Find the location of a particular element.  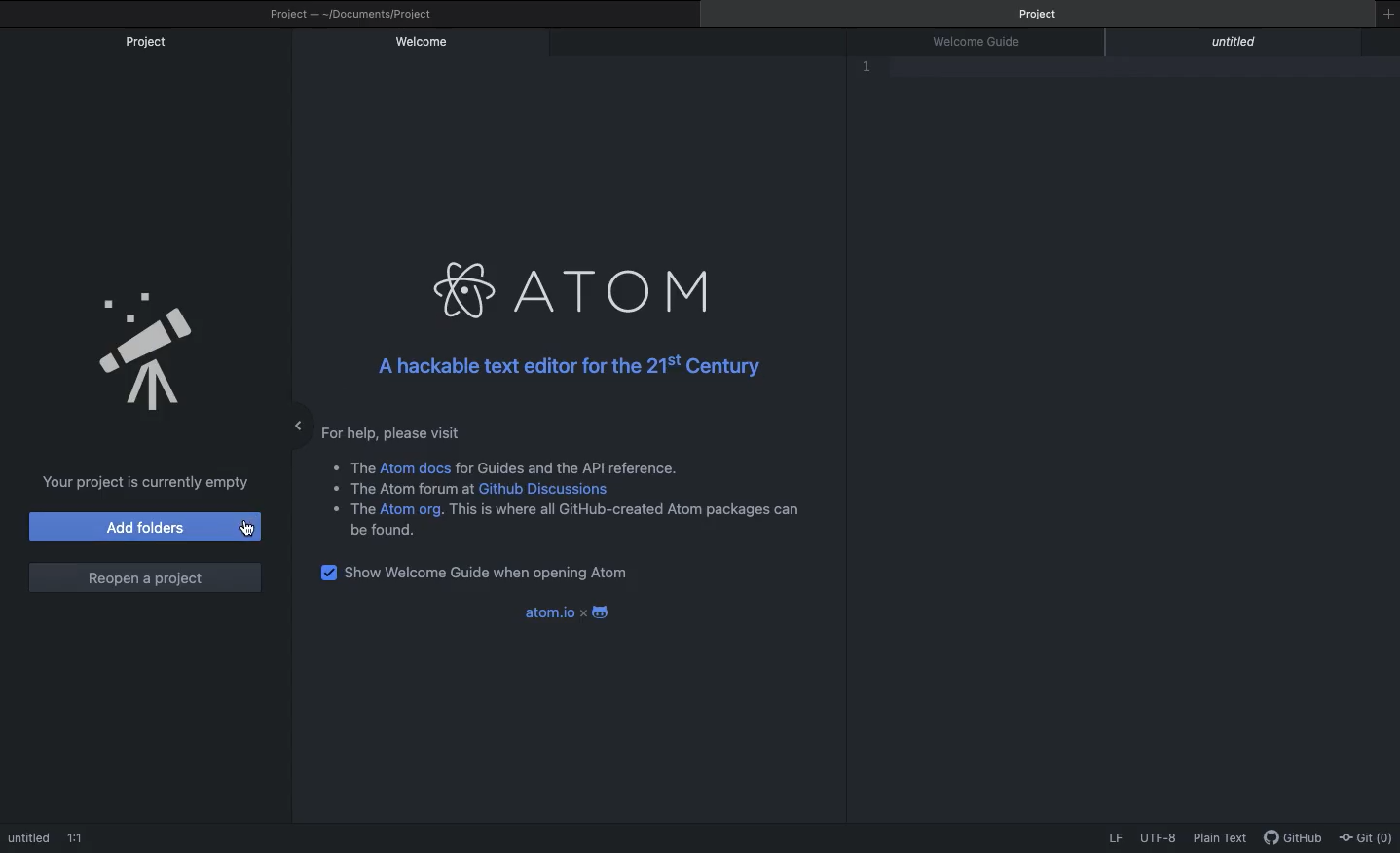

Atom x android  is located at coordinates (574, 612).